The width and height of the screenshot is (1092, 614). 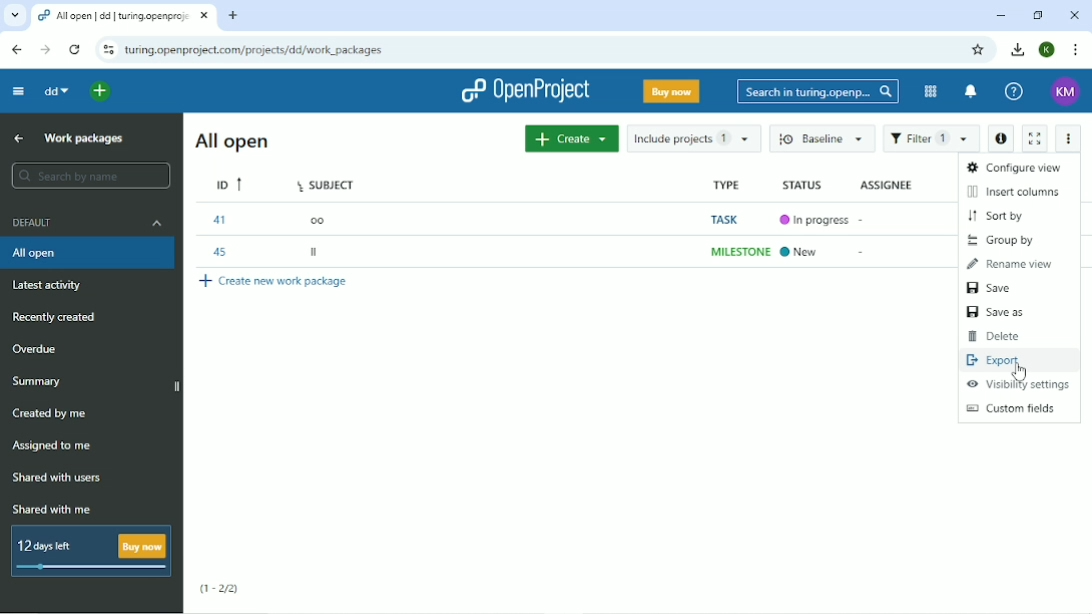 I want to click on Work packages, so click(x=84, y=140).